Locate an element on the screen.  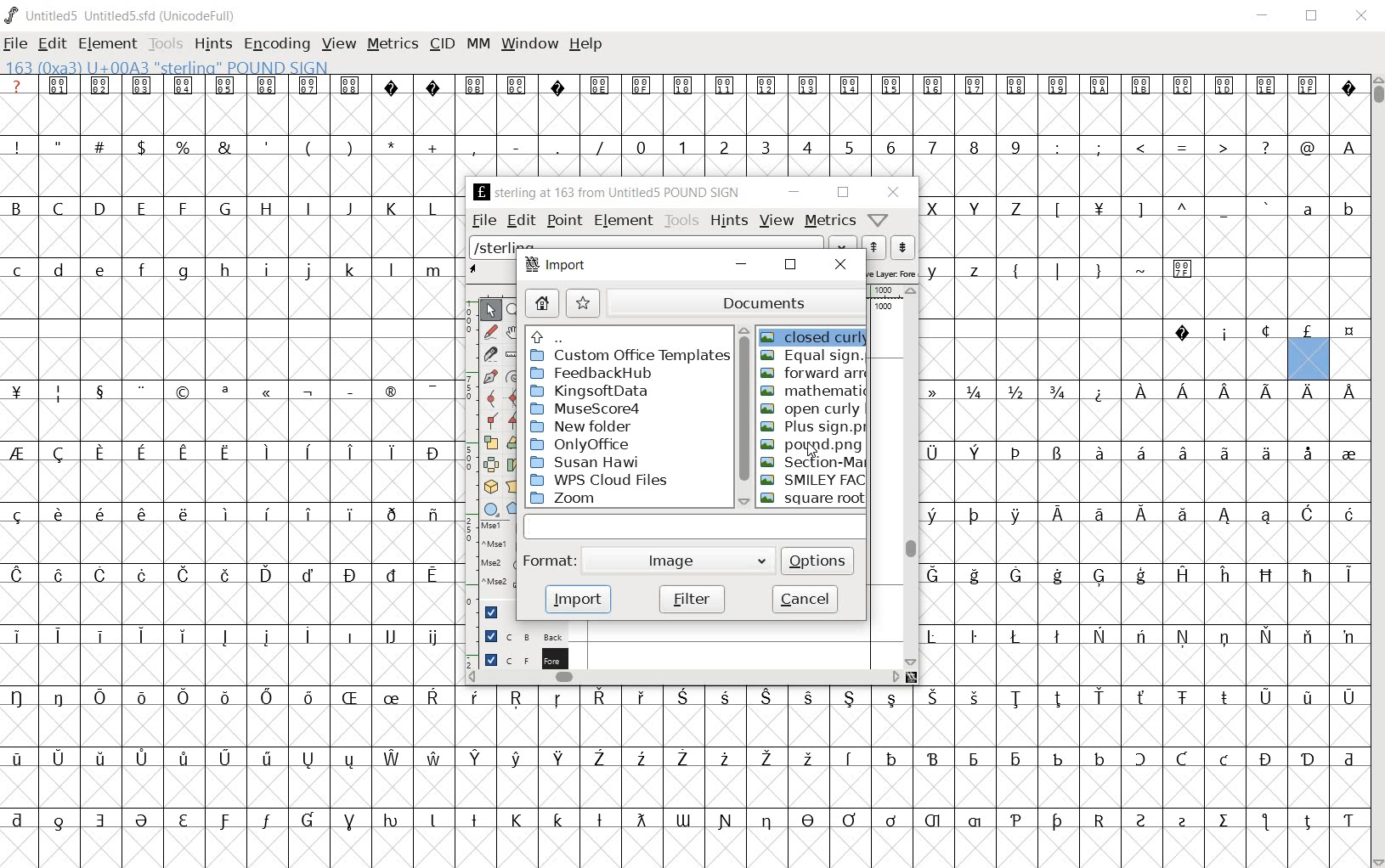
Symbol is located at coordinates (266, 576).